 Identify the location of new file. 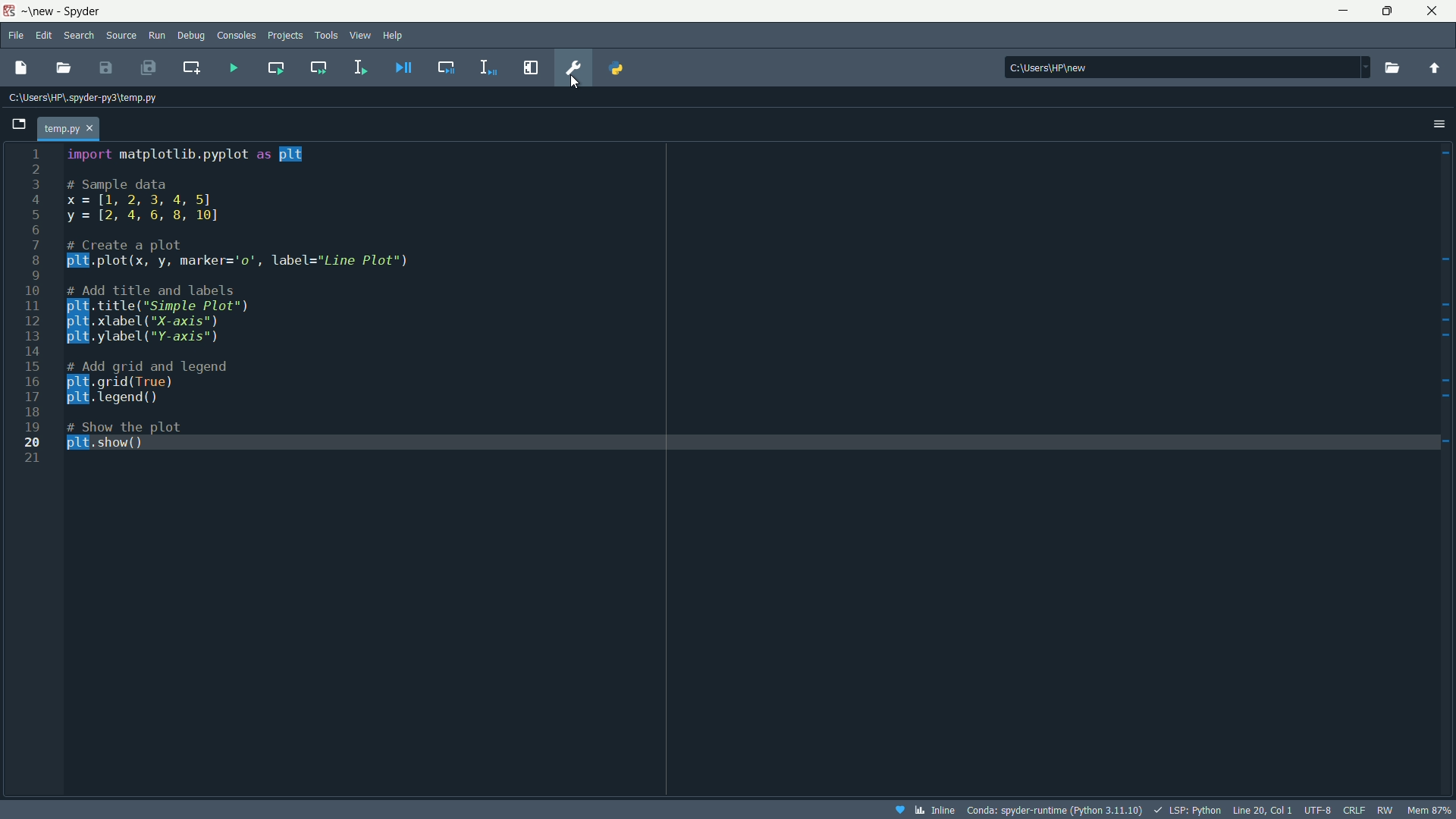
(20, 128).